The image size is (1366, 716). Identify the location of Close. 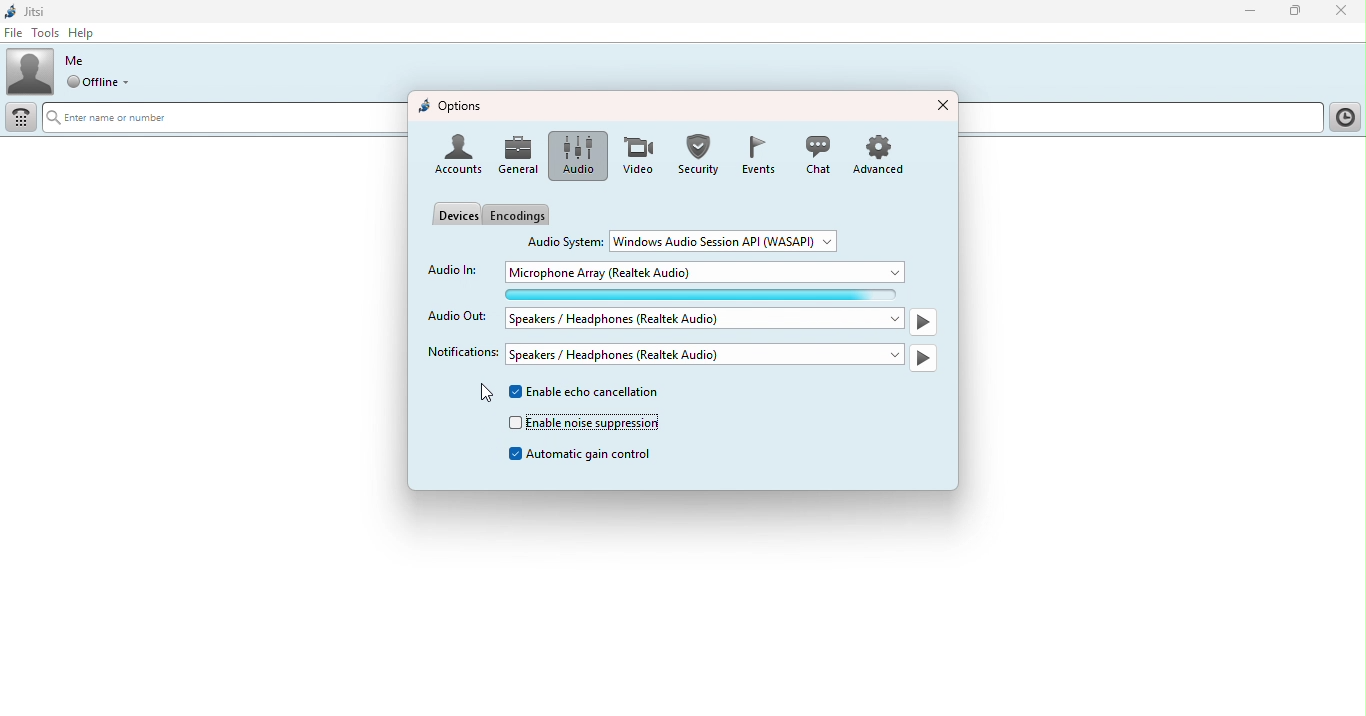
(941, 103).